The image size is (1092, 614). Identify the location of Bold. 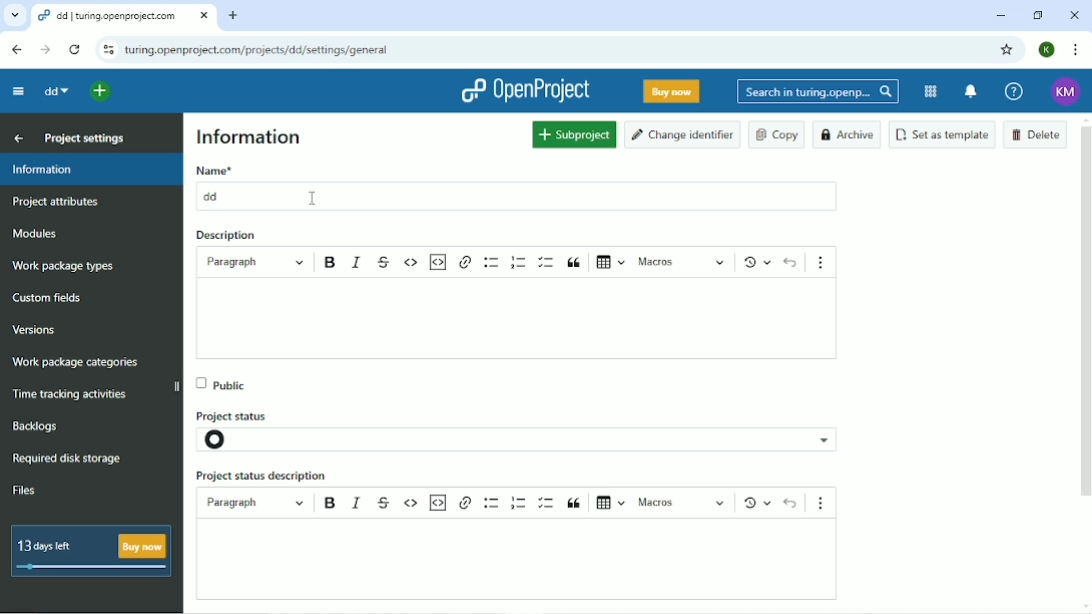
(331, 264).